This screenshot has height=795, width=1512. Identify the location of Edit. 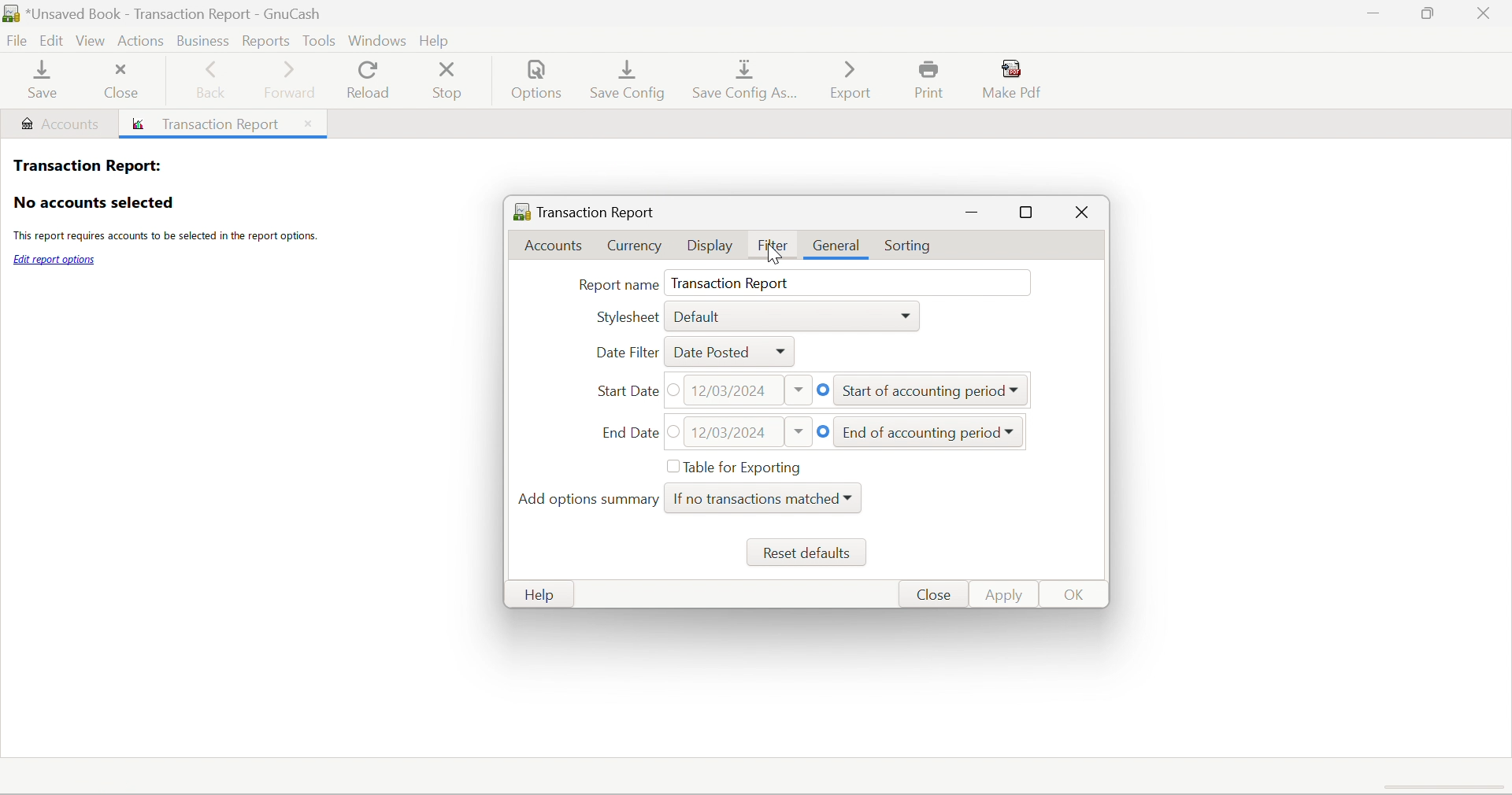
(54, 41).